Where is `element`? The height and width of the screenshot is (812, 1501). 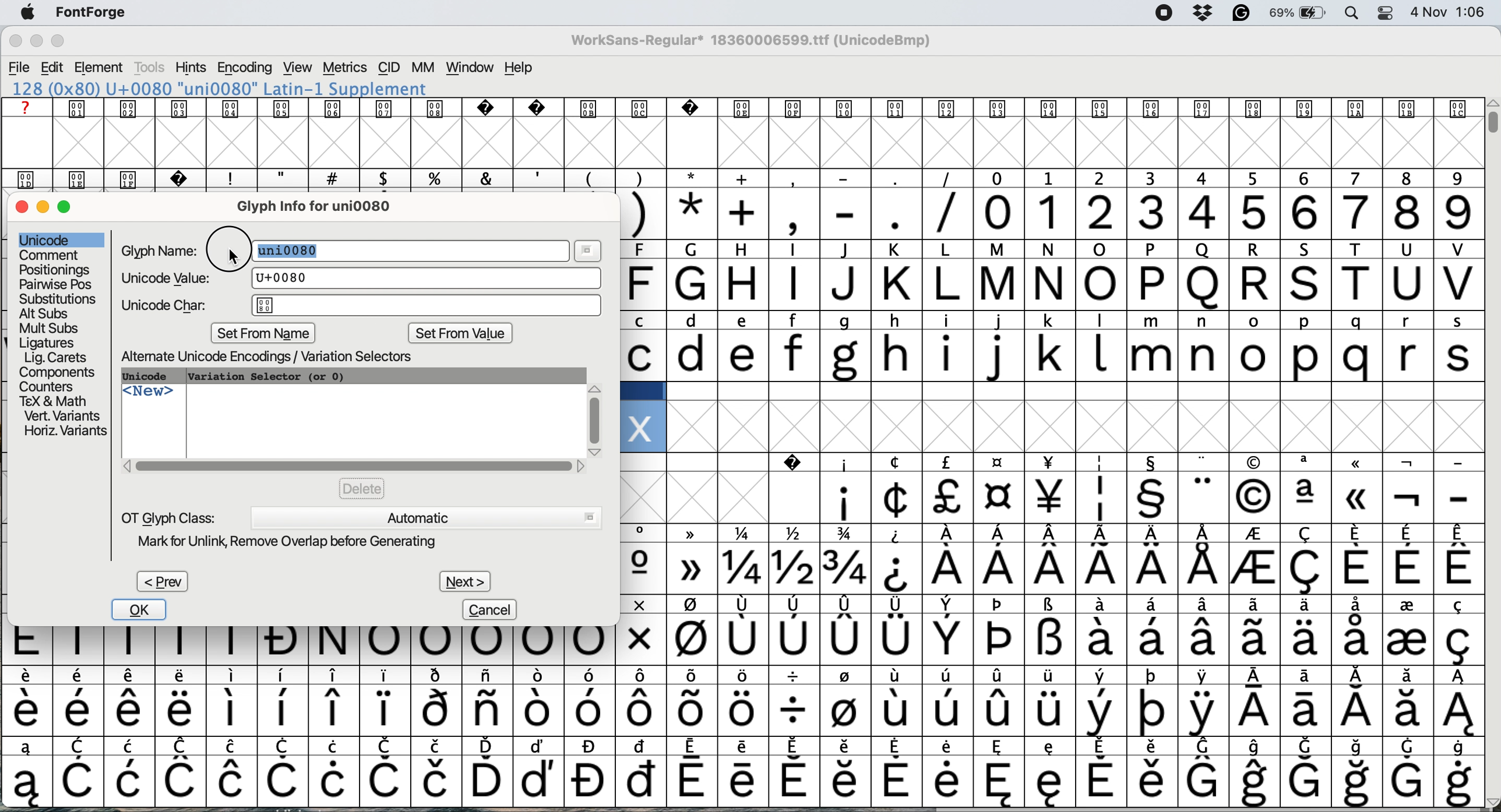
element is located at coordinates (101, 68).